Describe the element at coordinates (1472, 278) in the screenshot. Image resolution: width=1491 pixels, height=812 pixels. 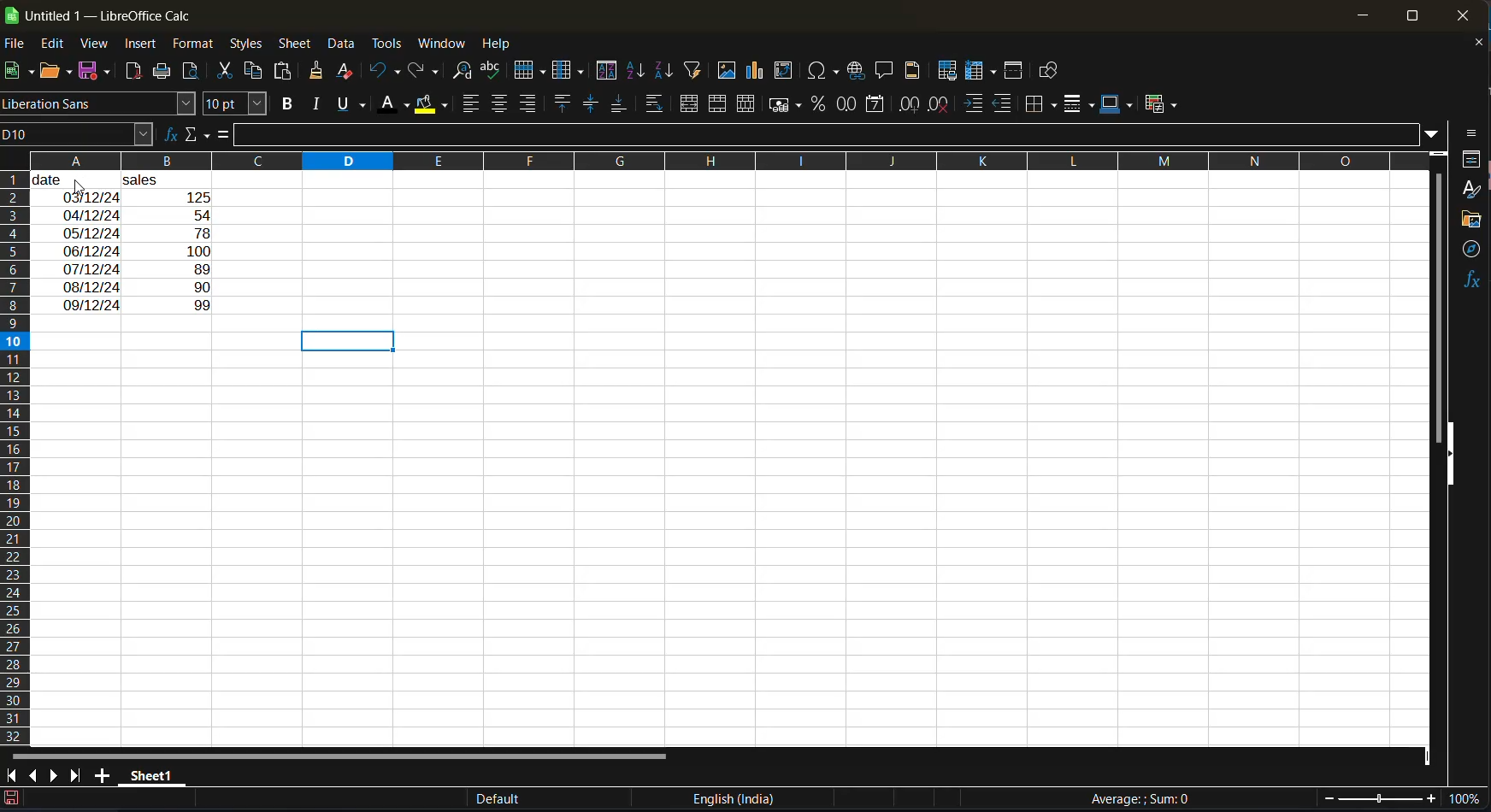
I see `functions` at that location.